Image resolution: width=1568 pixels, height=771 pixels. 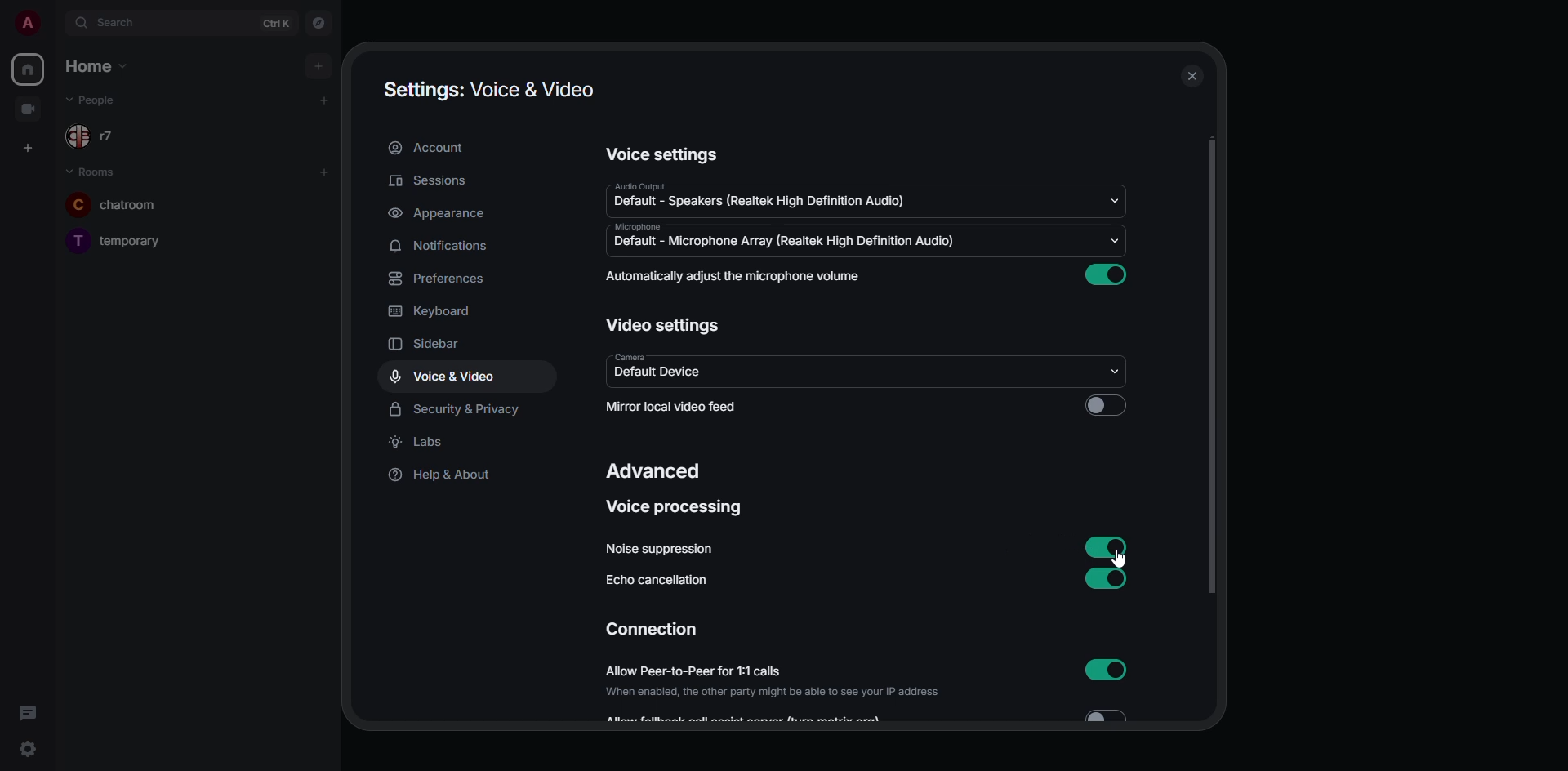 I want to click on account, so click(x=432, y=148).